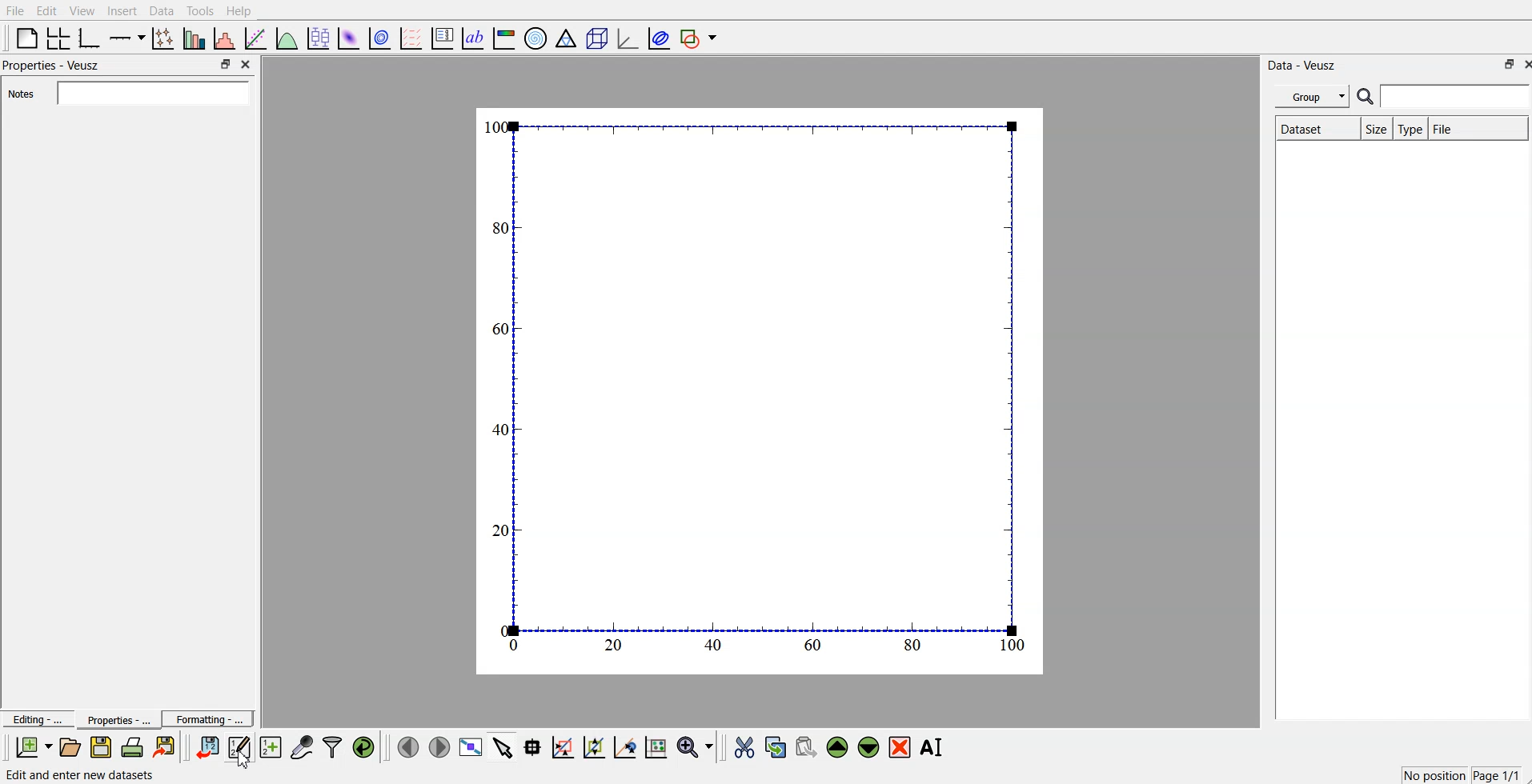 The width and height of the screenshot is (1532, 784). Describe the element at coordinates (162, 10) in the screenshot. I see `Data` at that location.